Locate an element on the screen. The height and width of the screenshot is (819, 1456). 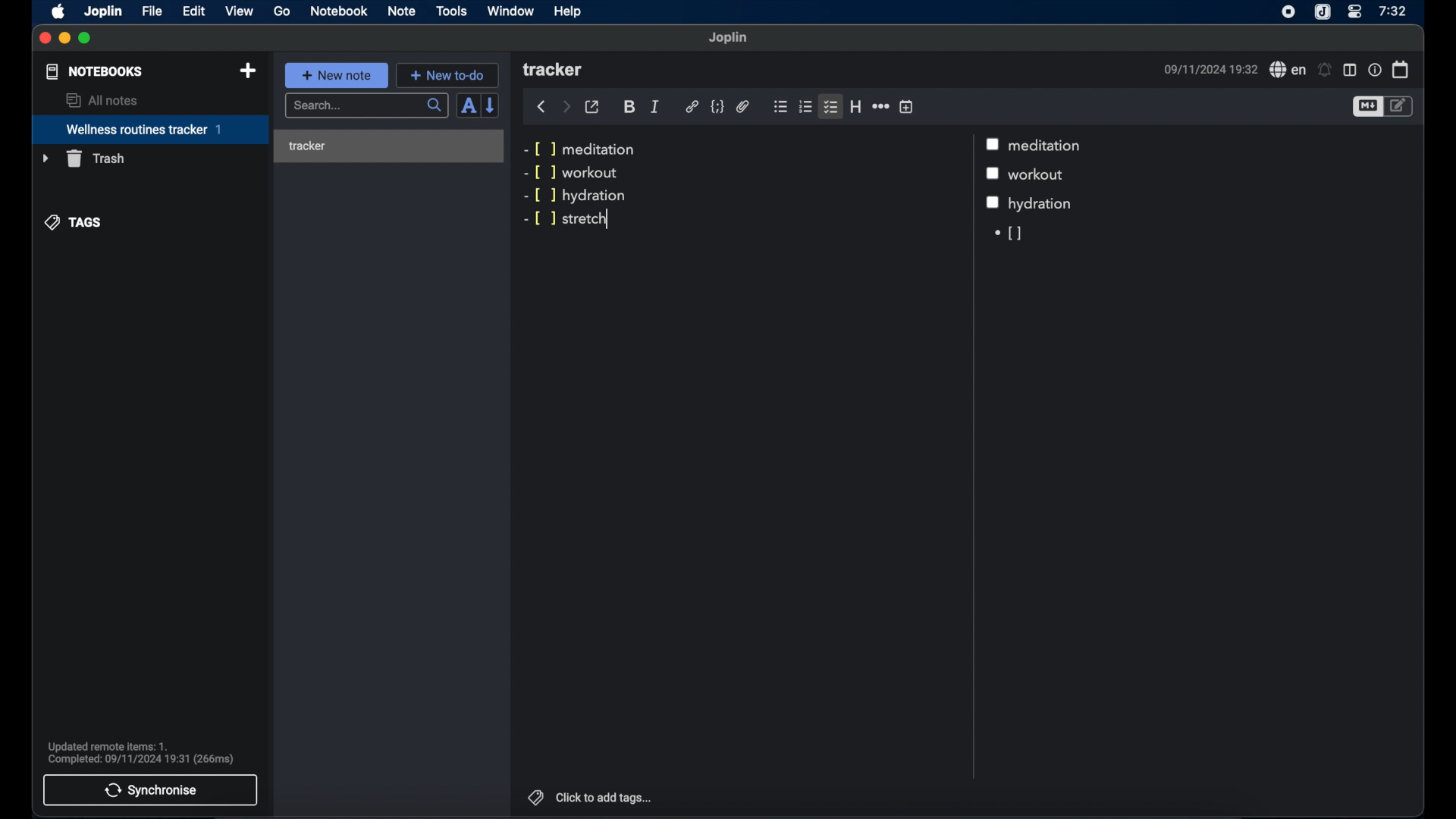
new note is located at coordinates (337, 75).